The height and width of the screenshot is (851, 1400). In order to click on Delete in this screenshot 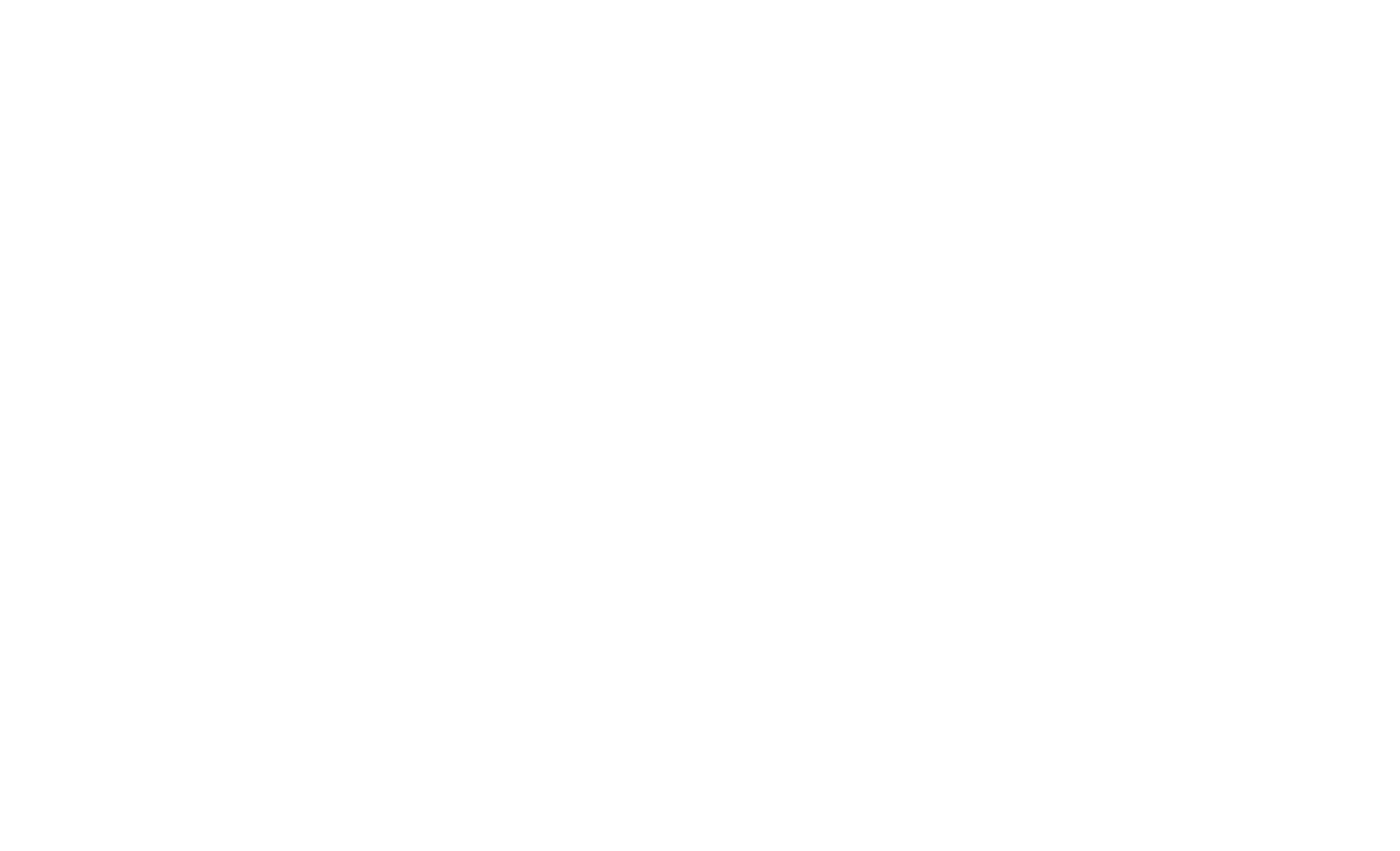, I will do `click(332, 803)`.